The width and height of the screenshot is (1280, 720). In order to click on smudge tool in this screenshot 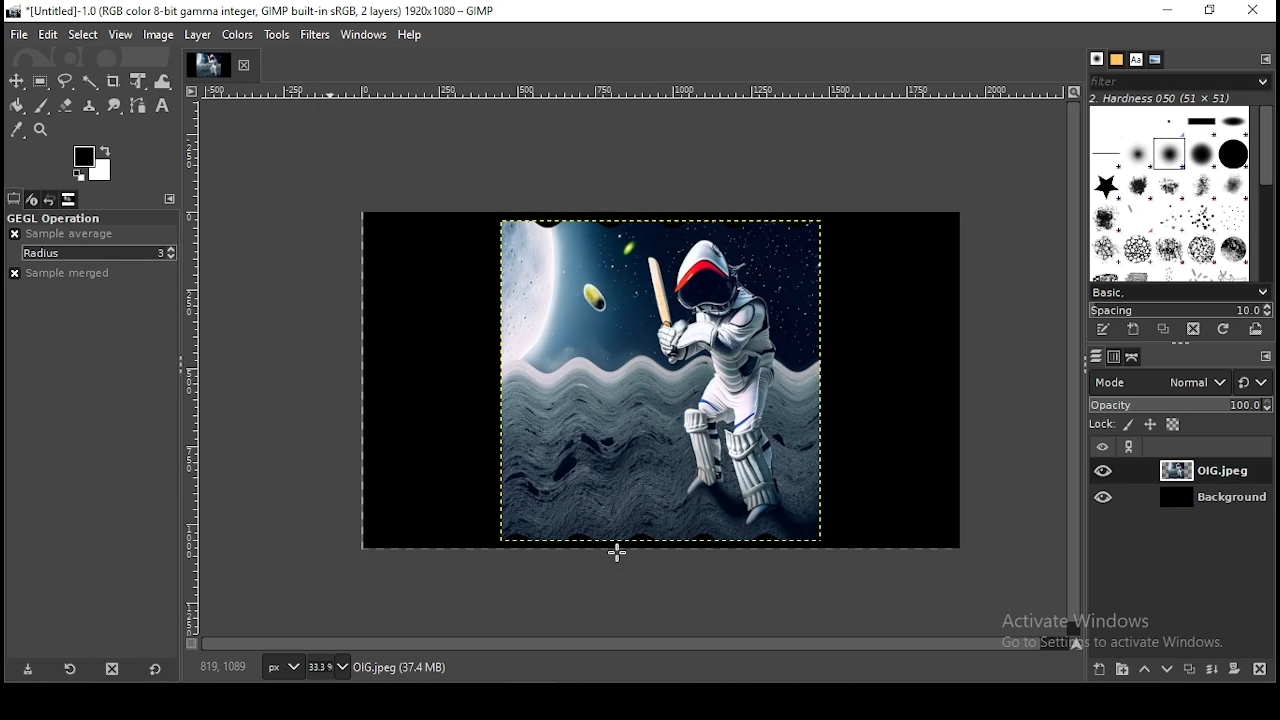, I will do `click(116, 107)`.